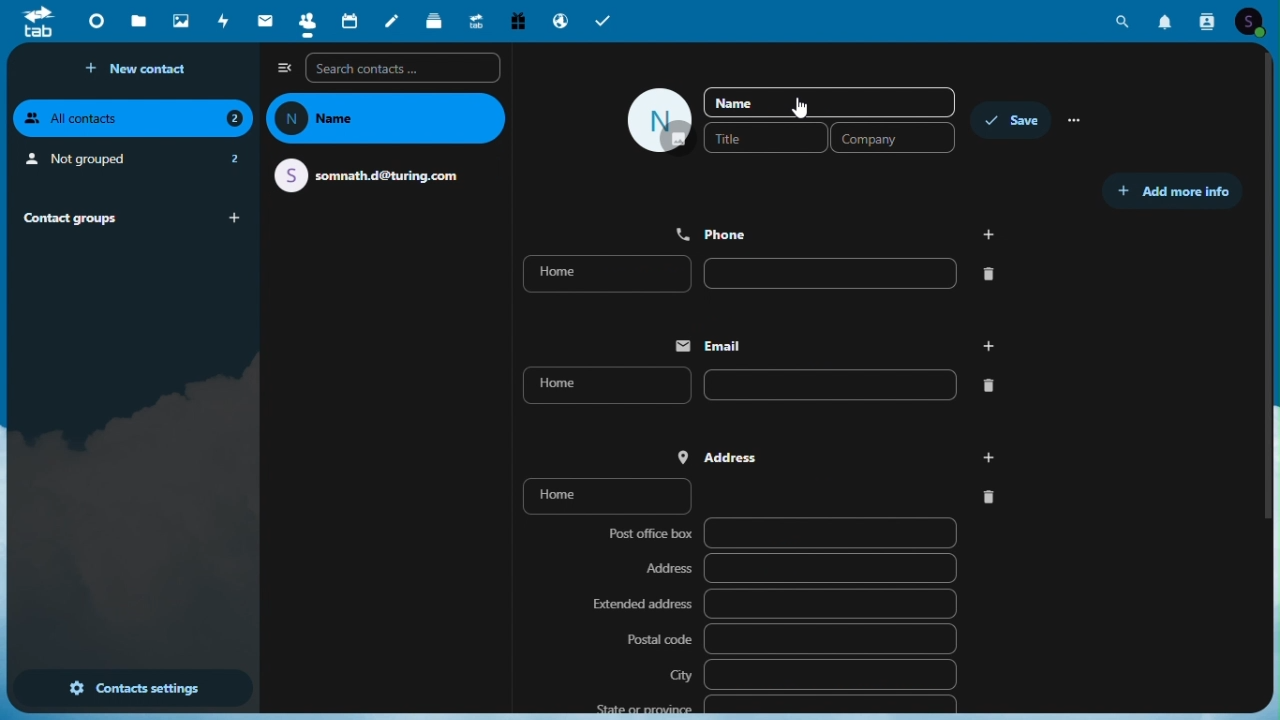  What do you see at coordinates (800, 568) in the screenshot?
I see `Address` at bounding box center [800, 568].